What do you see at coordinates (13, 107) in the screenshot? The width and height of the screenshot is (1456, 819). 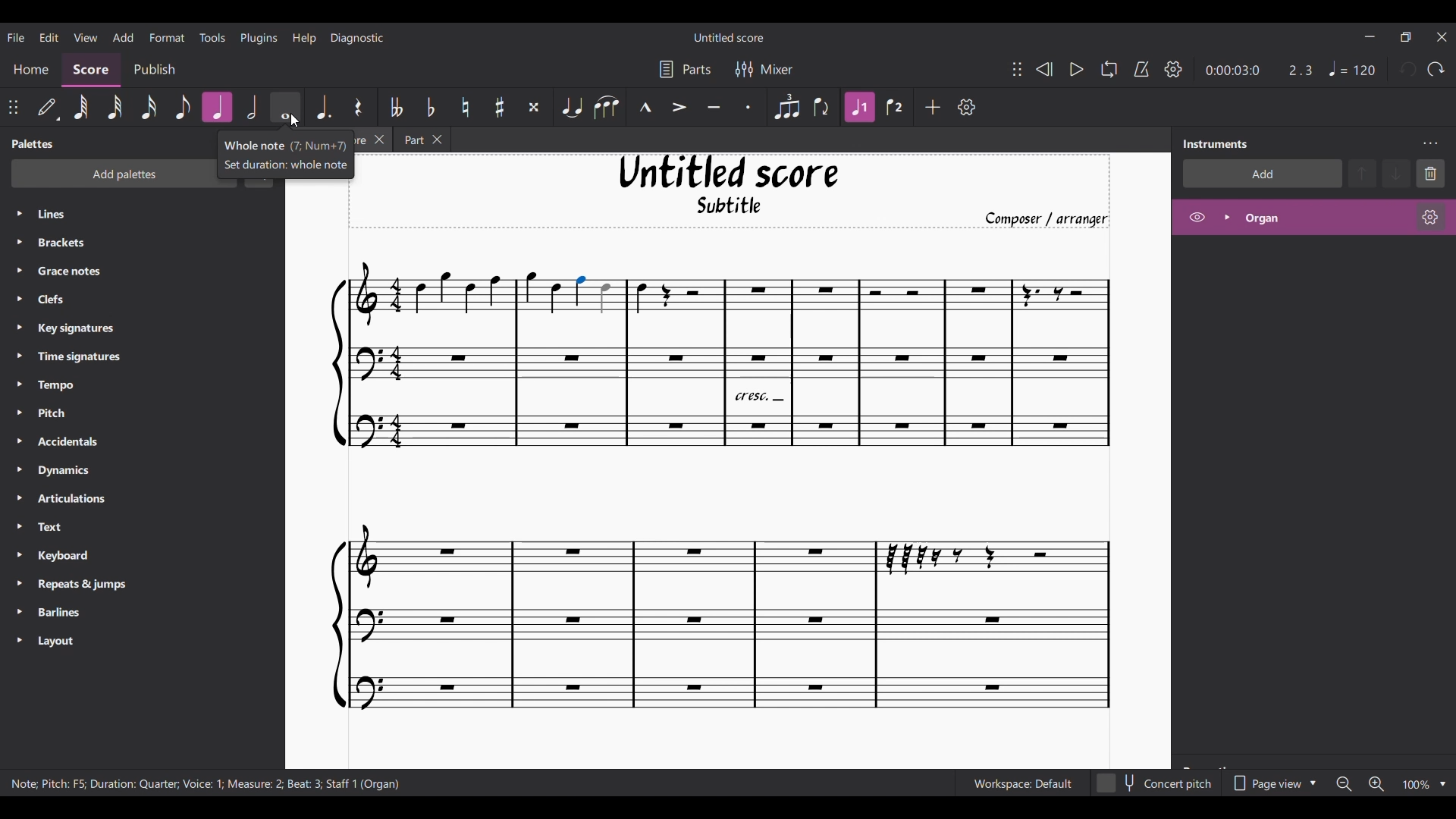 I see `Change position of toolbar attached` at bounding box center [13, 107].